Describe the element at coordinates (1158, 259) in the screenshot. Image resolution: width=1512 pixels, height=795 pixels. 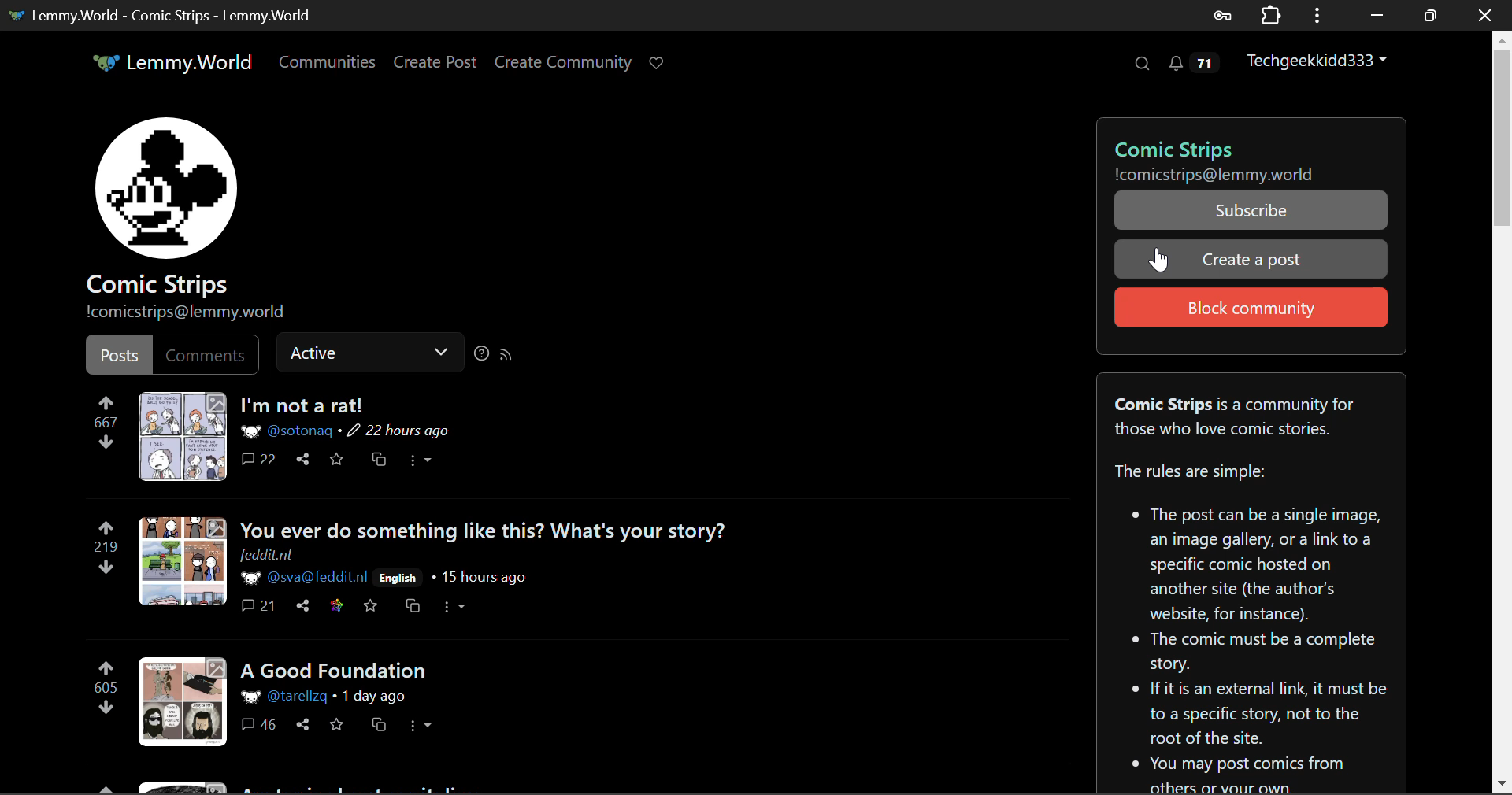
I see `Cursor Position` at that location.